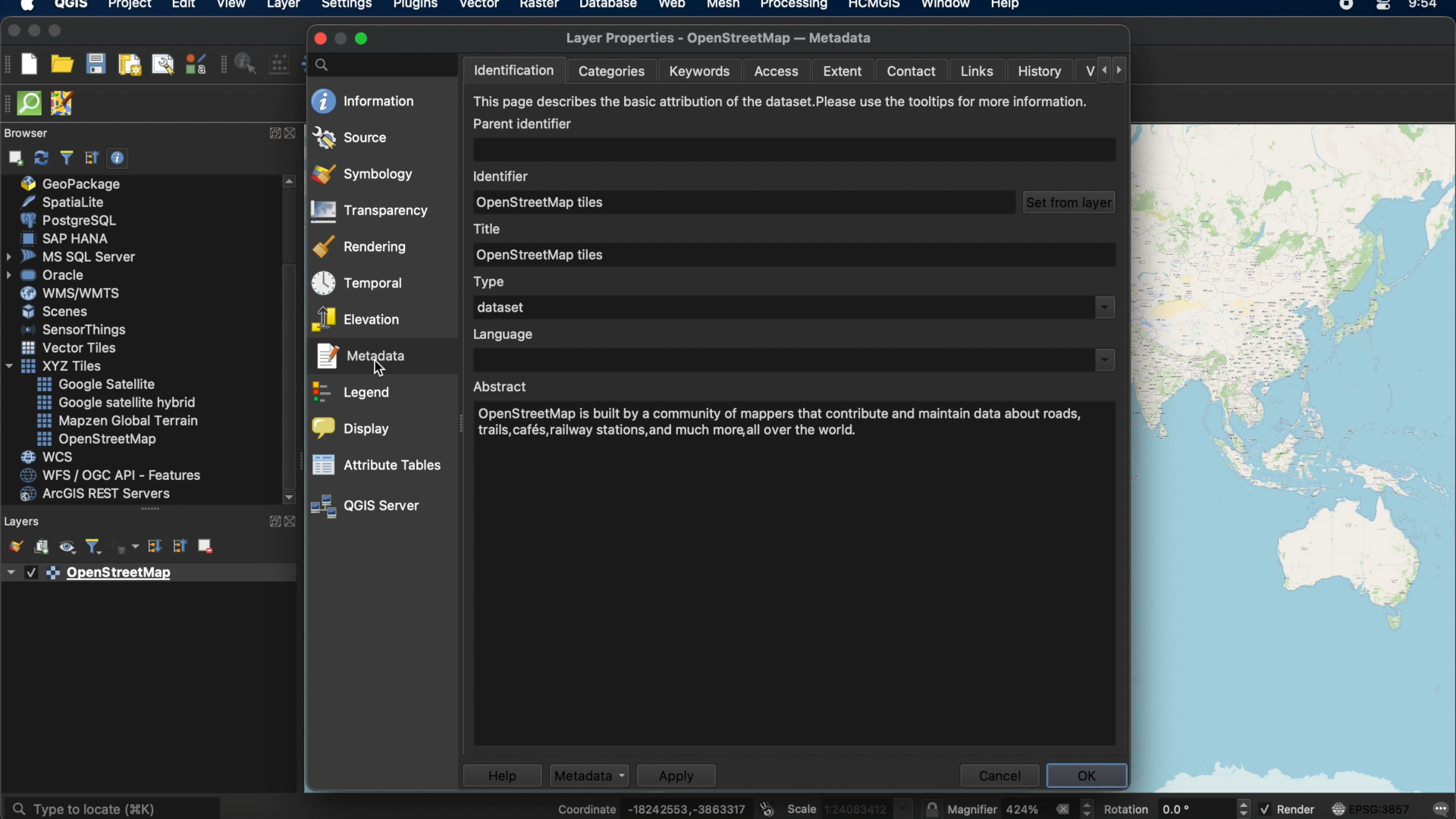  I want to click on postgresql, so click(67, 219).